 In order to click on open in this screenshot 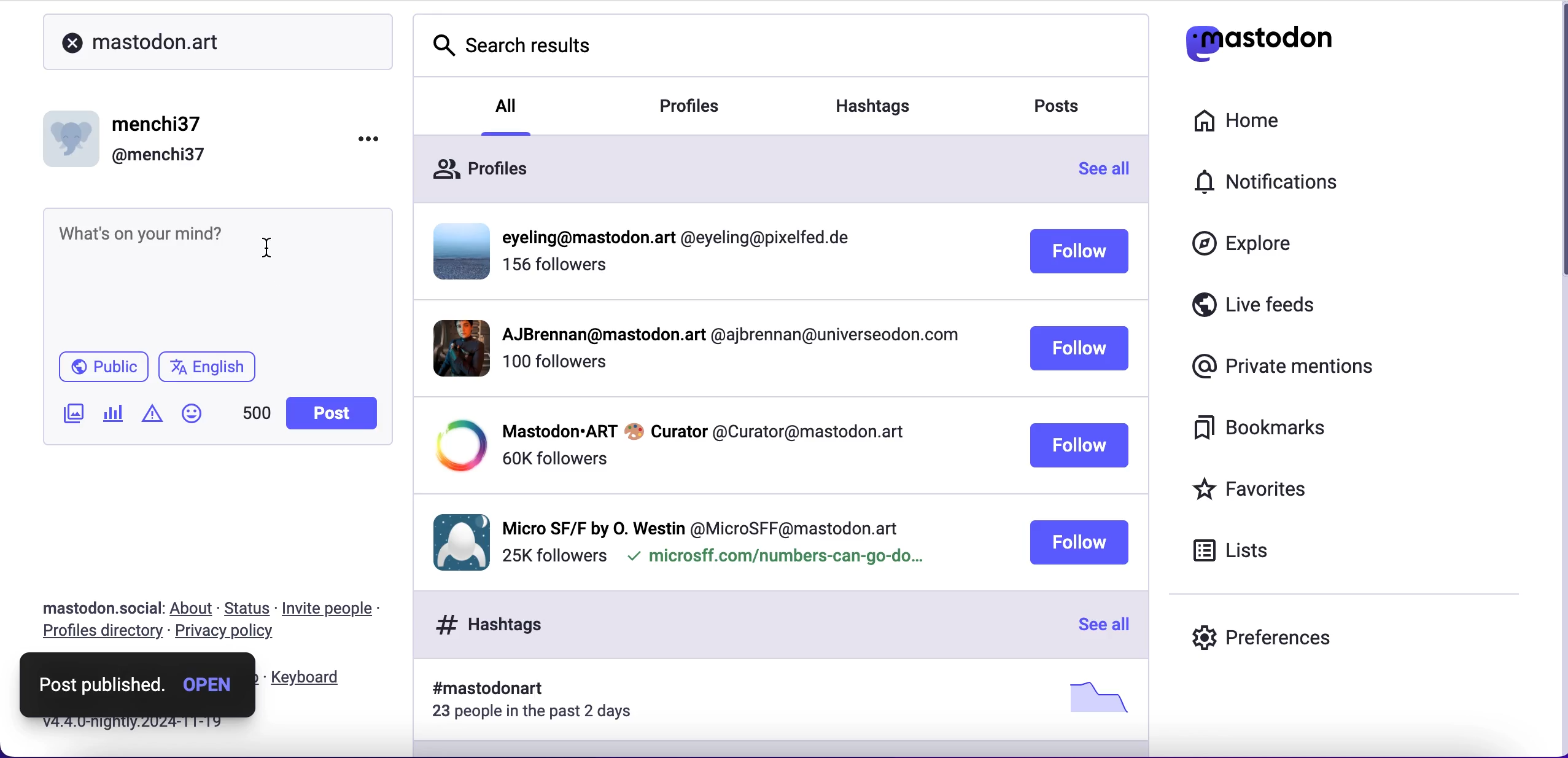, I will do `click(210, 687)`.